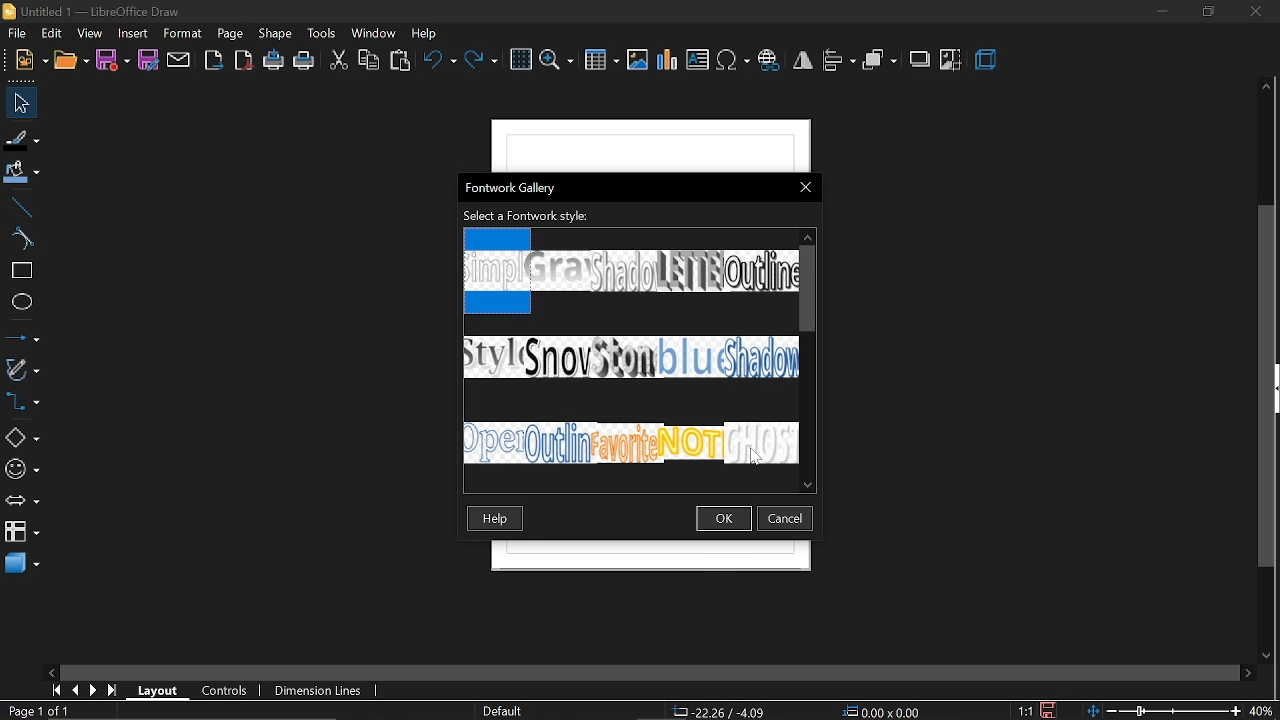 The height and width of the screenshot is (720, 1280). Describe the element at coordinates (512, 188) in the screenshot. I see `current window` at that location.